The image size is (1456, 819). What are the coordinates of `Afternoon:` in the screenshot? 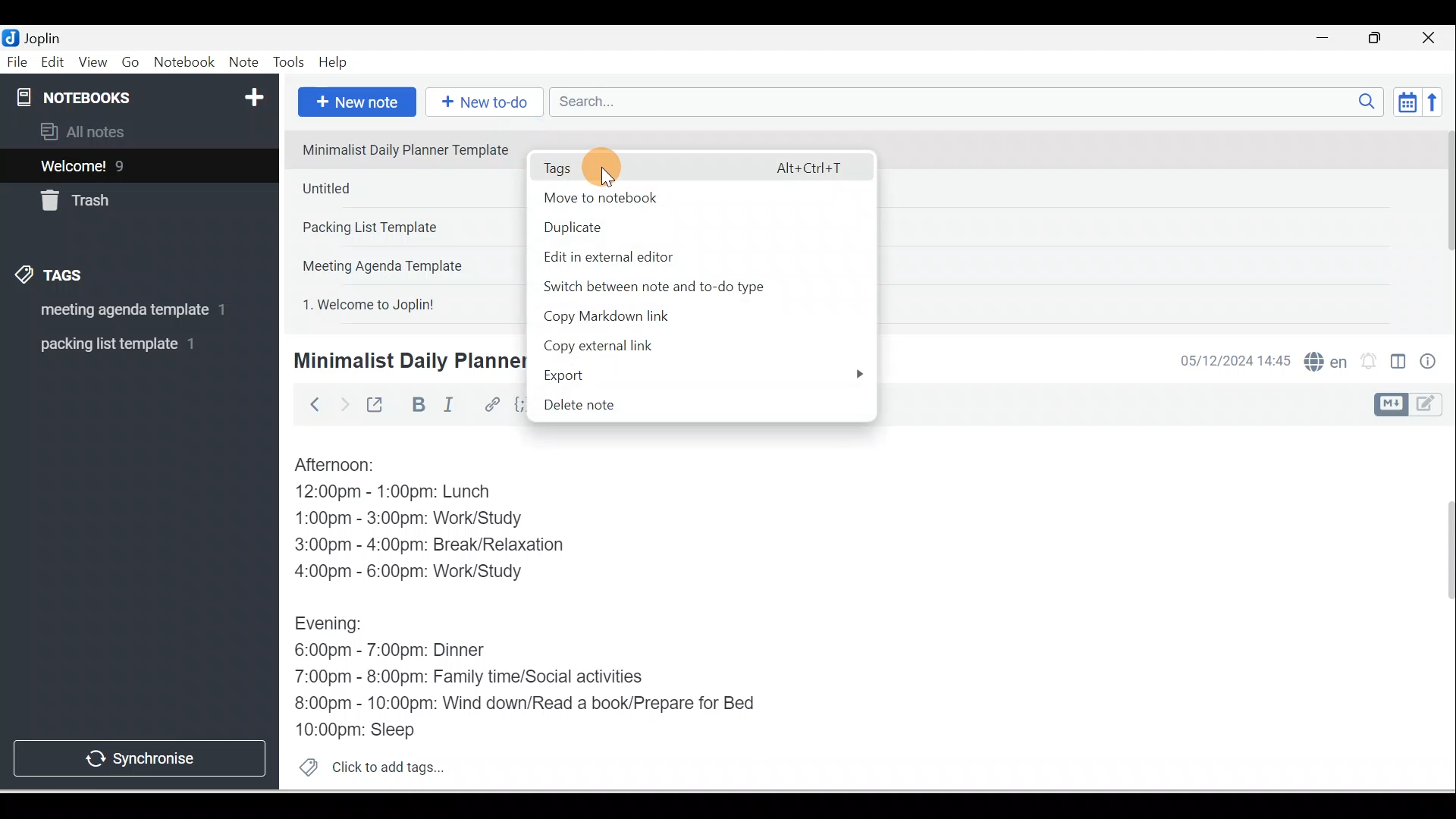 It's located at (345, 466).